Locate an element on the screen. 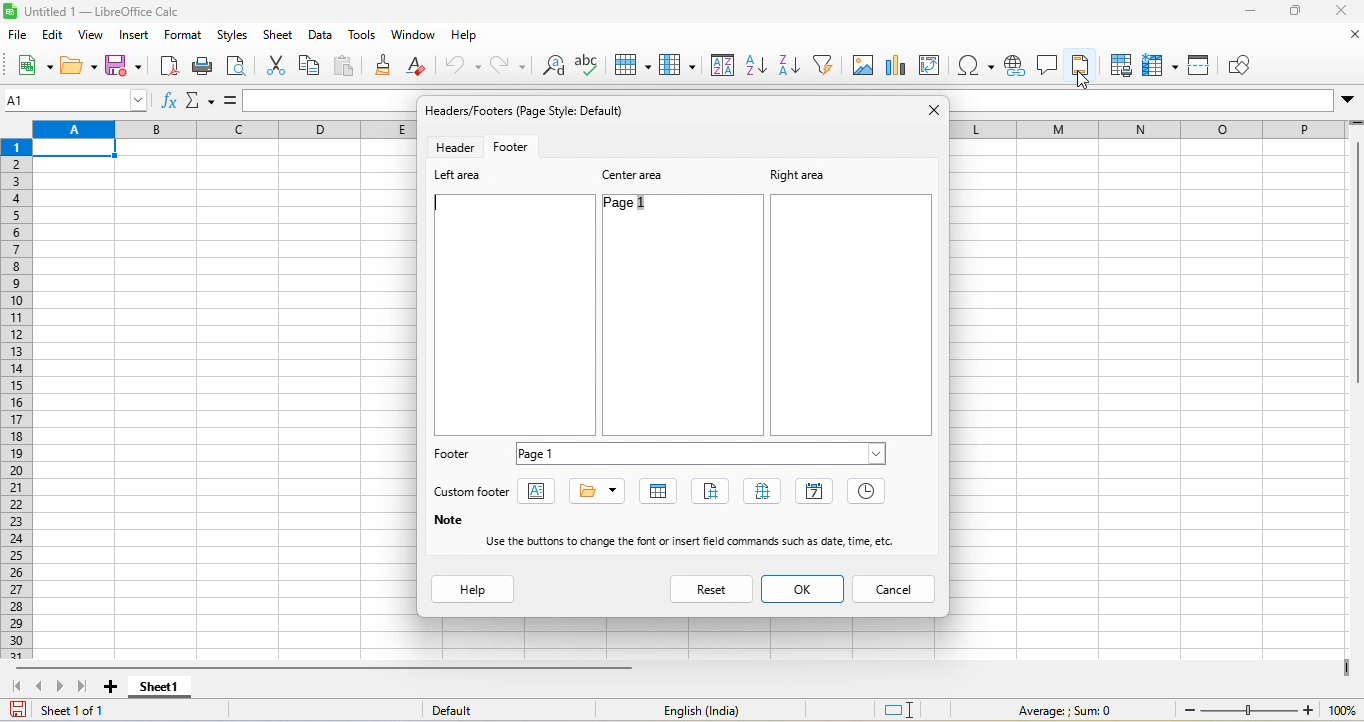 The image size is (1364, 722). sheet1 is located at coordinates (159, 688).